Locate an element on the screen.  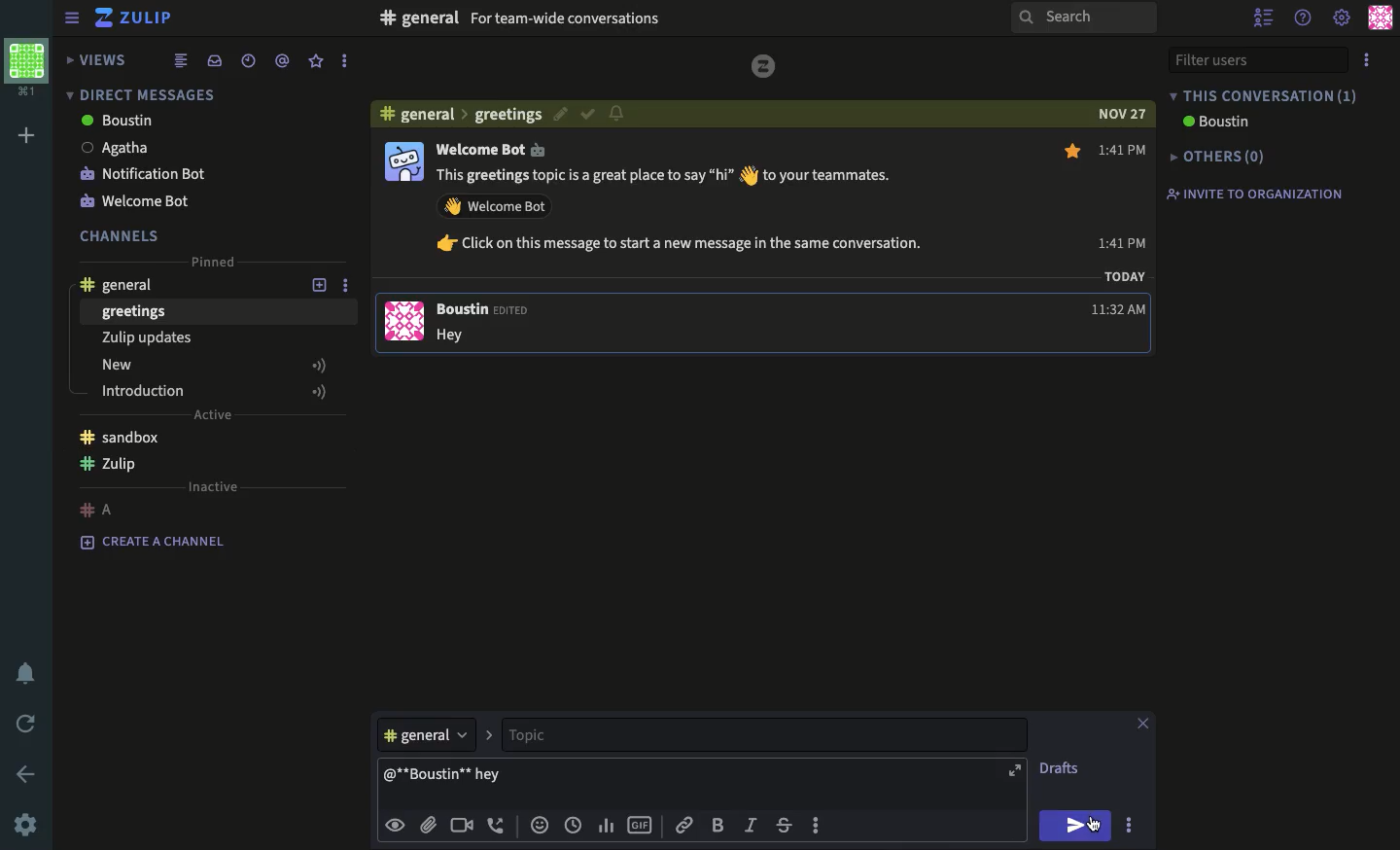
correct is located at coordinates (586, 115).